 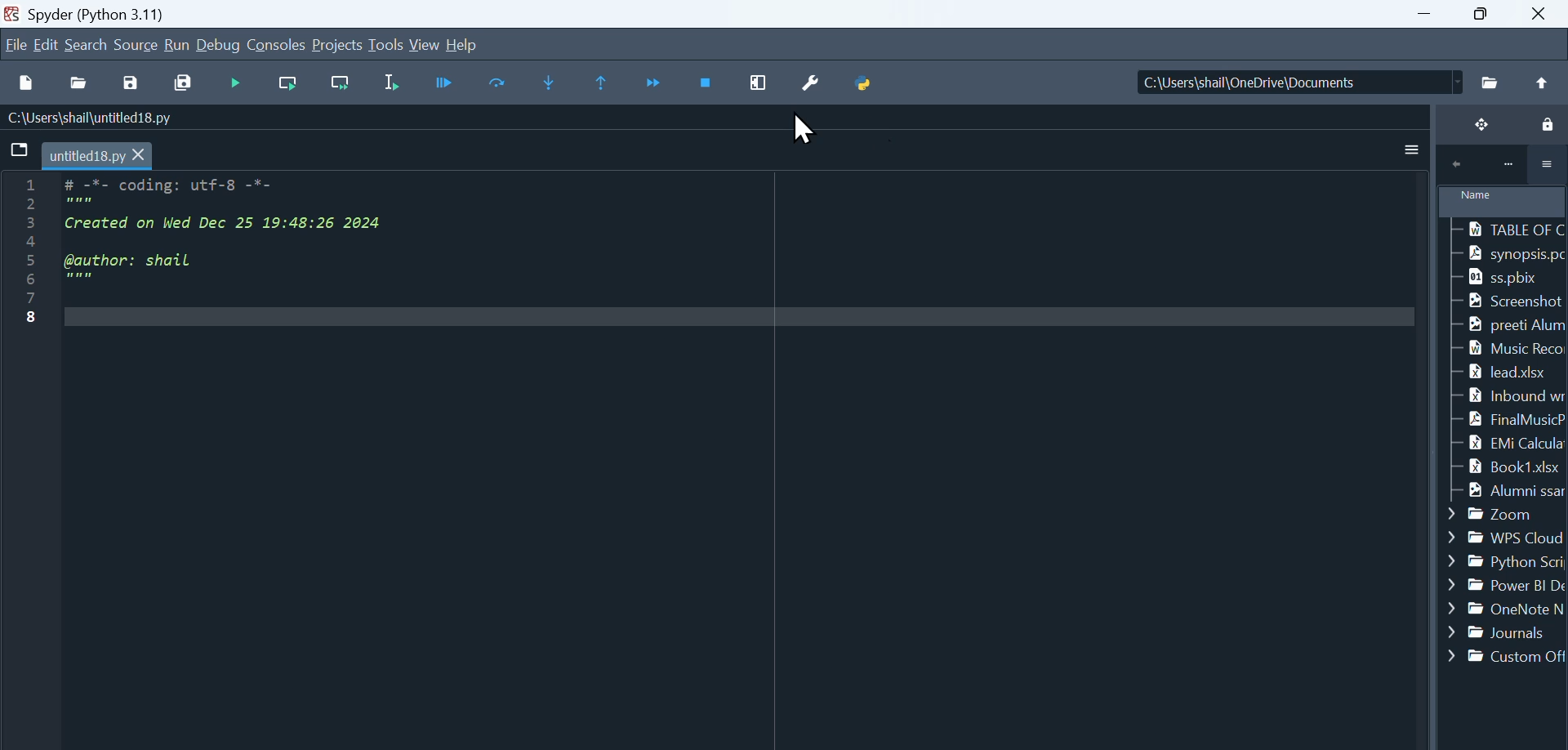 What do you see at coordinates (804, 131) in the screenshot?
I see `cursor` at bounding box center [804, 131].